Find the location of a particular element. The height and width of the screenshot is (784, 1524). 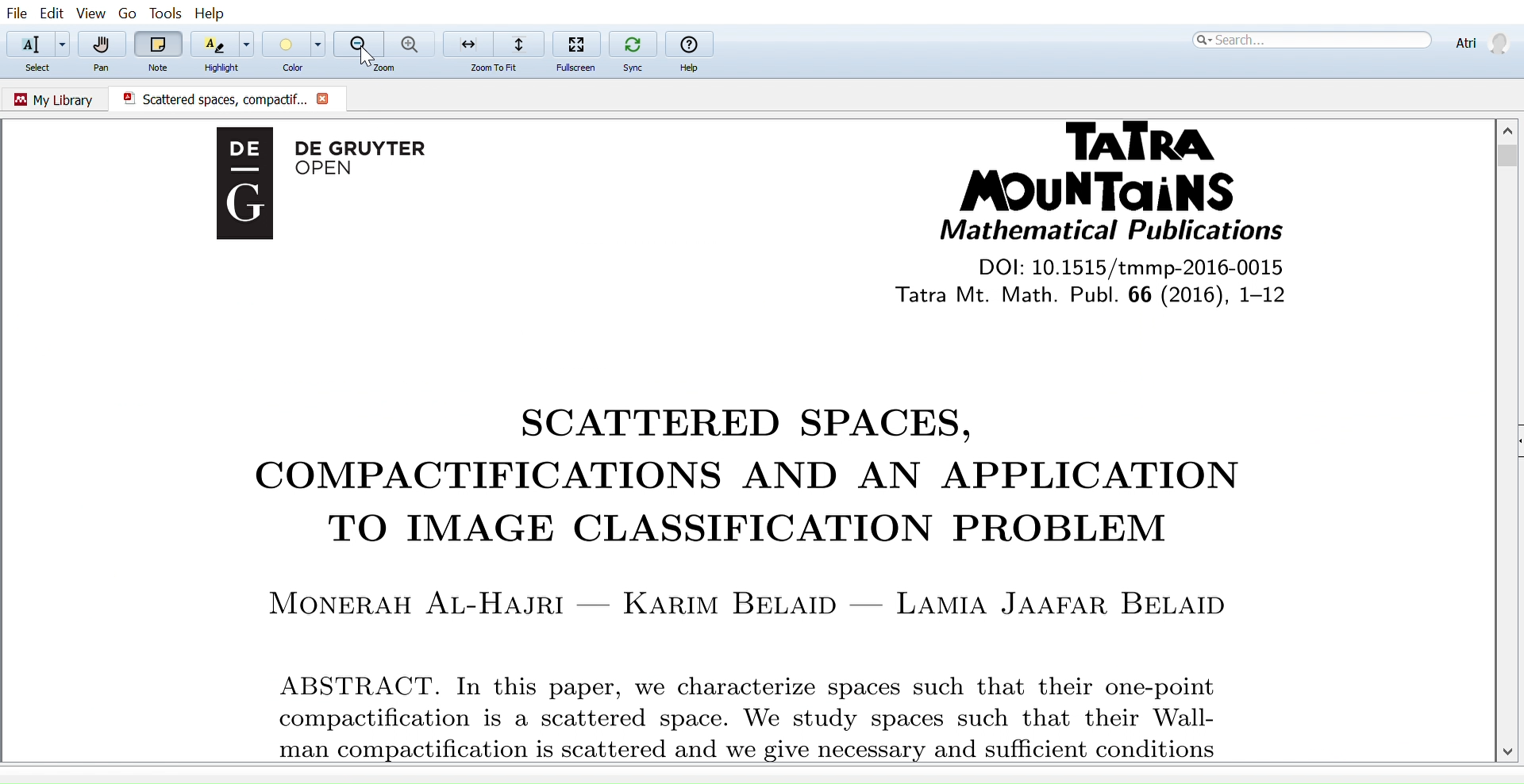

Highlight options is located at coordinates (250, 44).